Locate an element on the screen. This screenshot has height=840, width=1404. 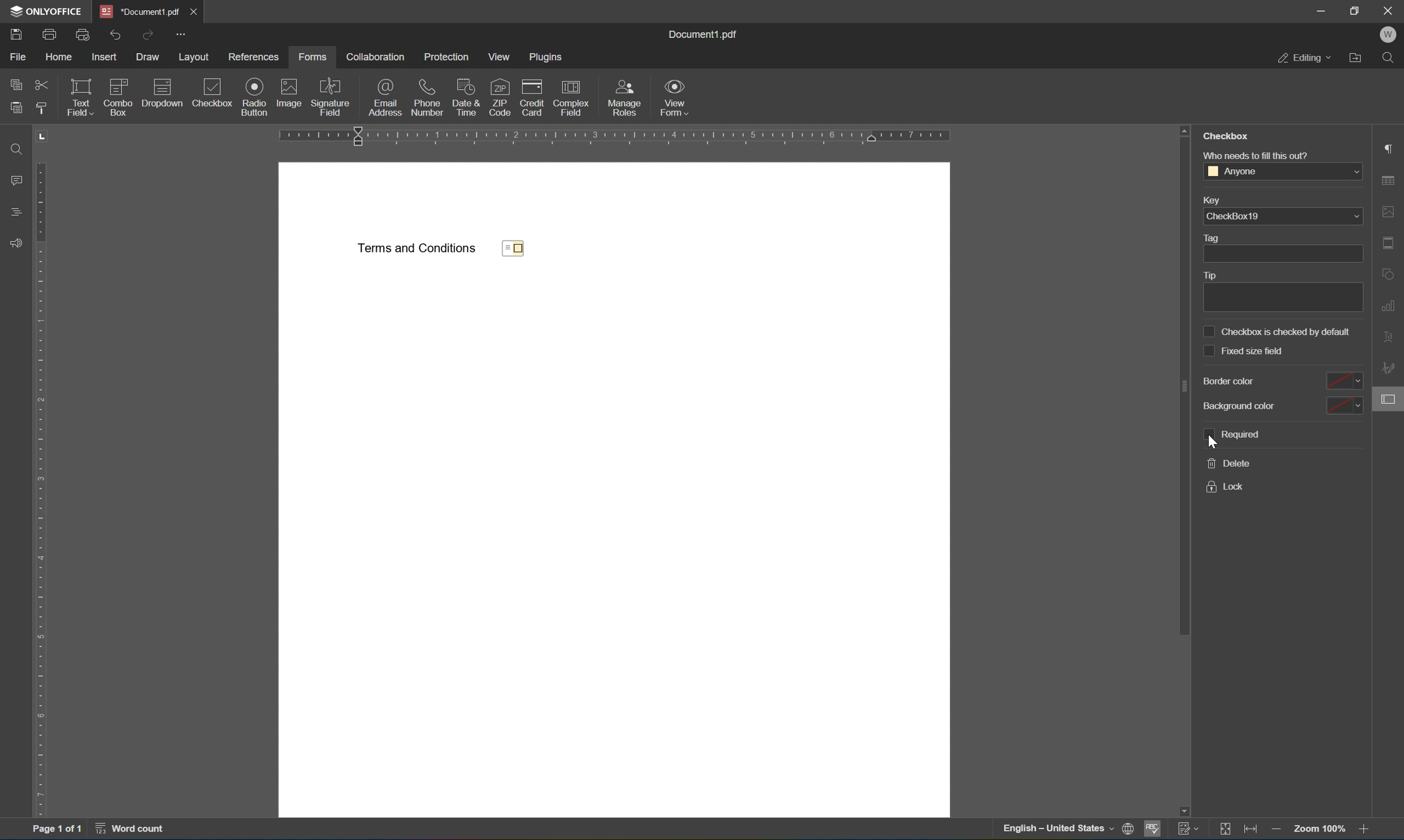
signature field is located at coordinates (330, 96).